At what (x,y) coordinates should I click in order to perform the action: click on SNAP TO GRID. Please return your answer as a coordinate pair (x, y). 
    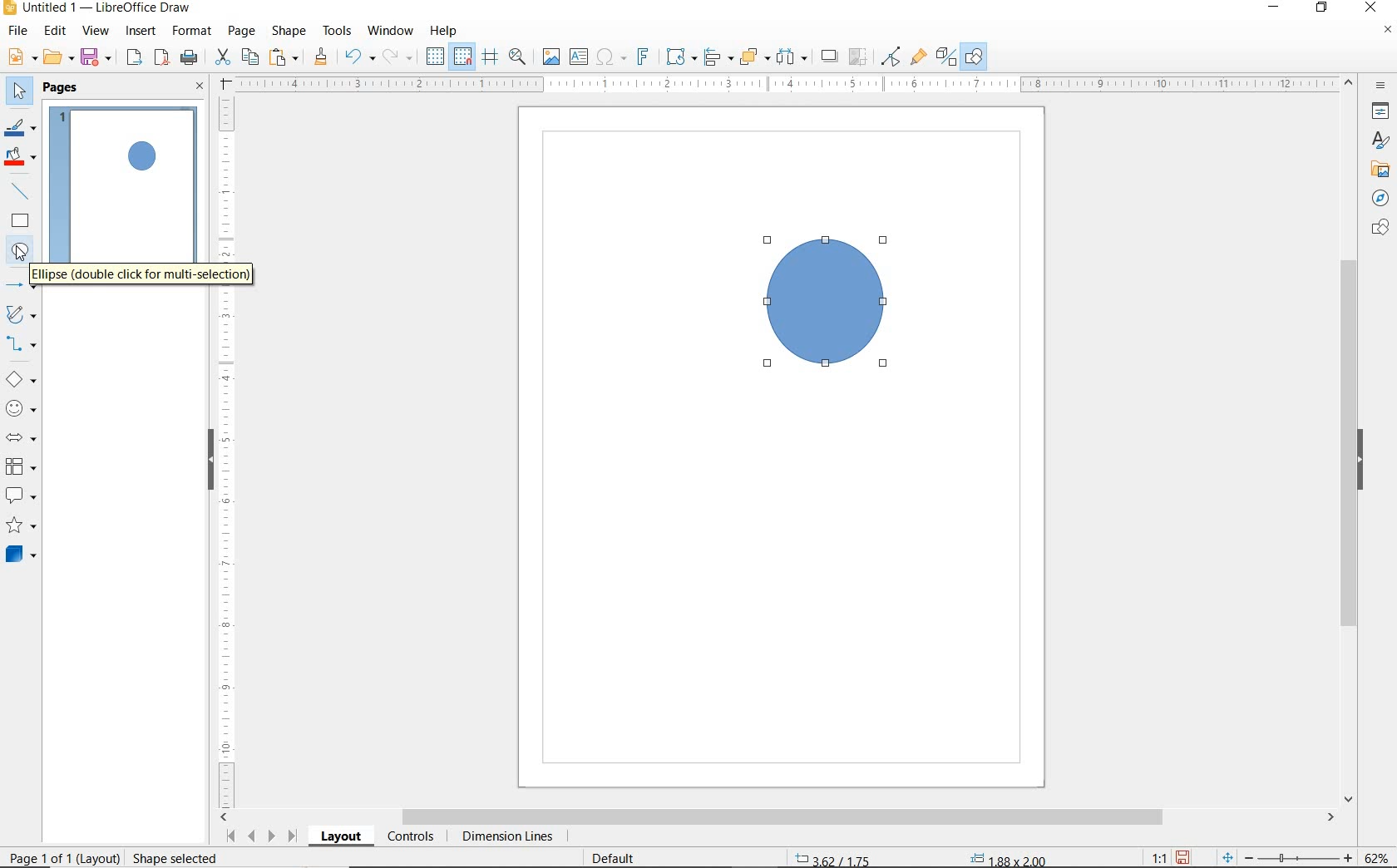
    Looking at the image, I should click on (462, 57).